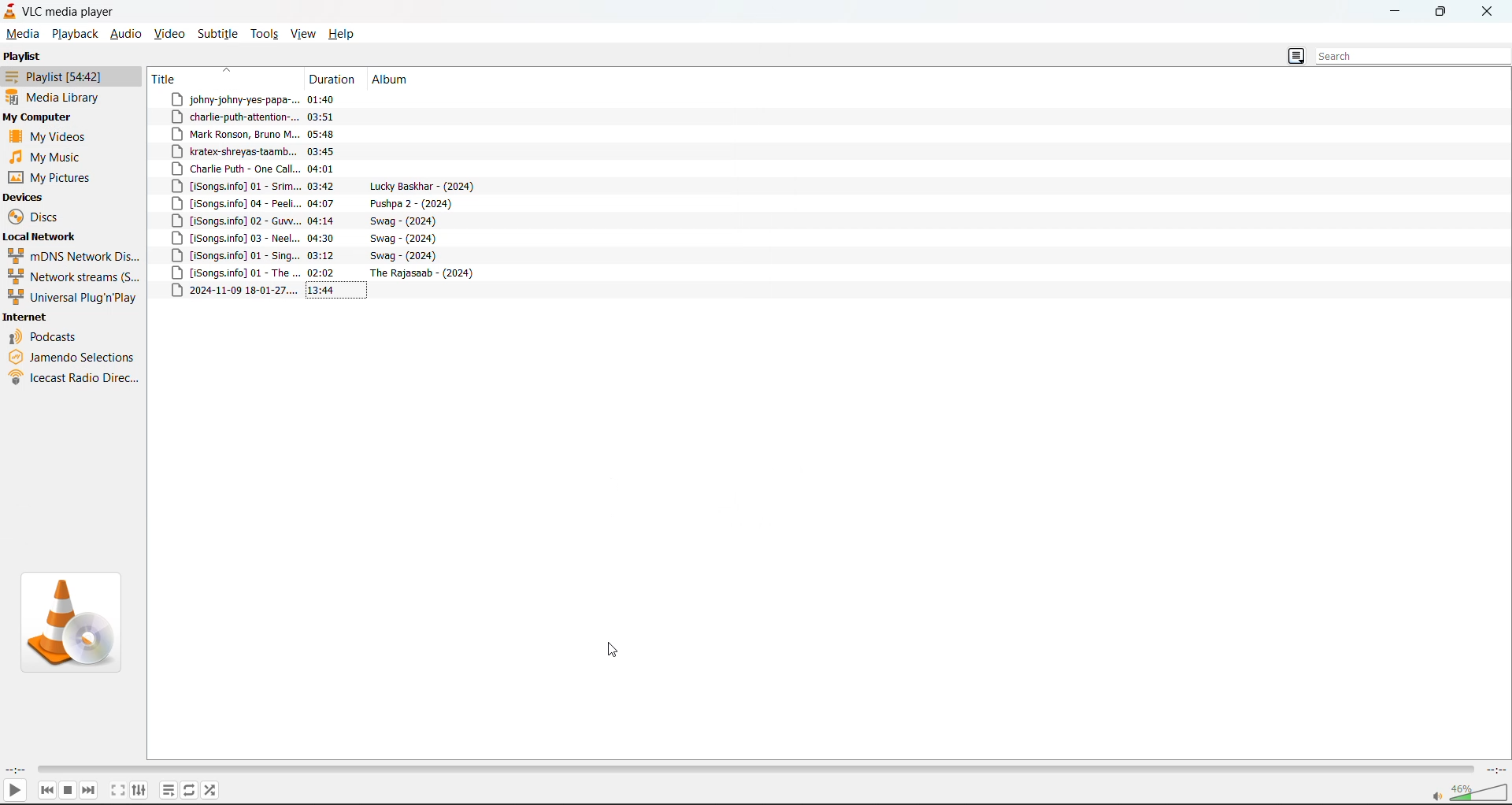 The image size is (1512, 805). Describe the element at coordinates (170, 79) in the screenshot. I see `title` at that location.